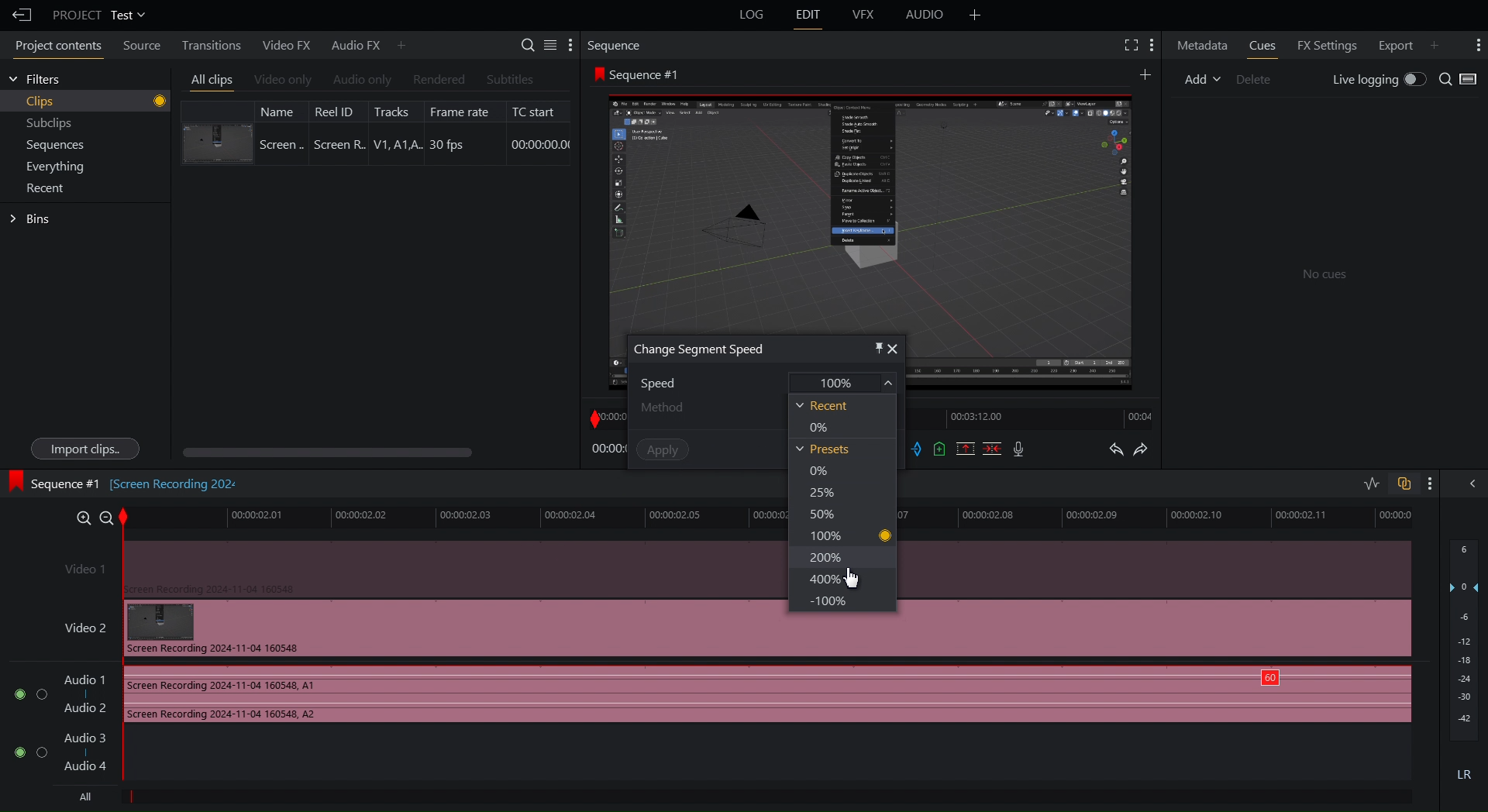  What do you see at coordinates (1265, 45) in the screenshot?
I see `Cues` at bounding box center [1265, 45].